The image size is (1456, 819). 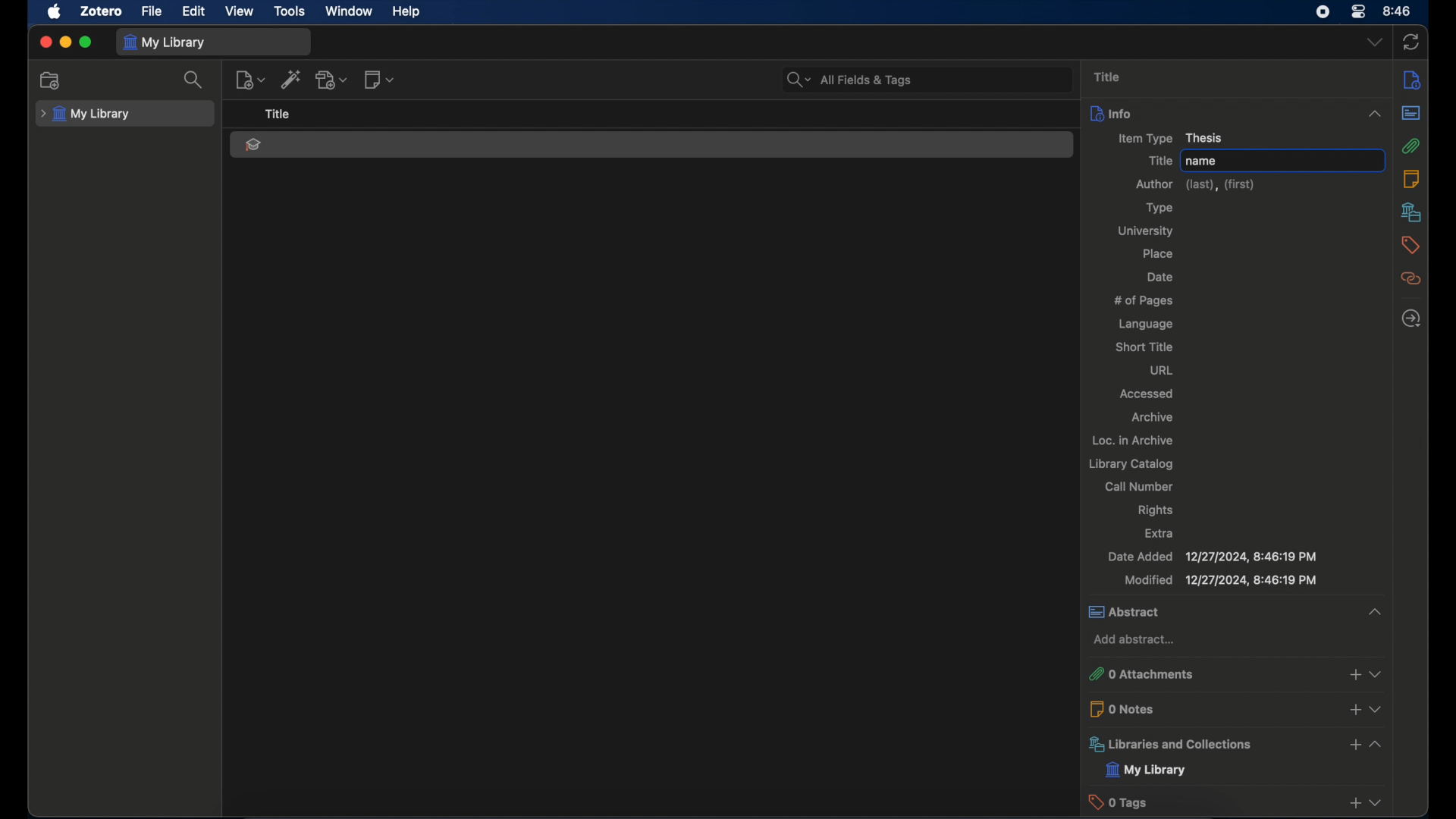 I want to click on info, so click(x=1210, y=113).